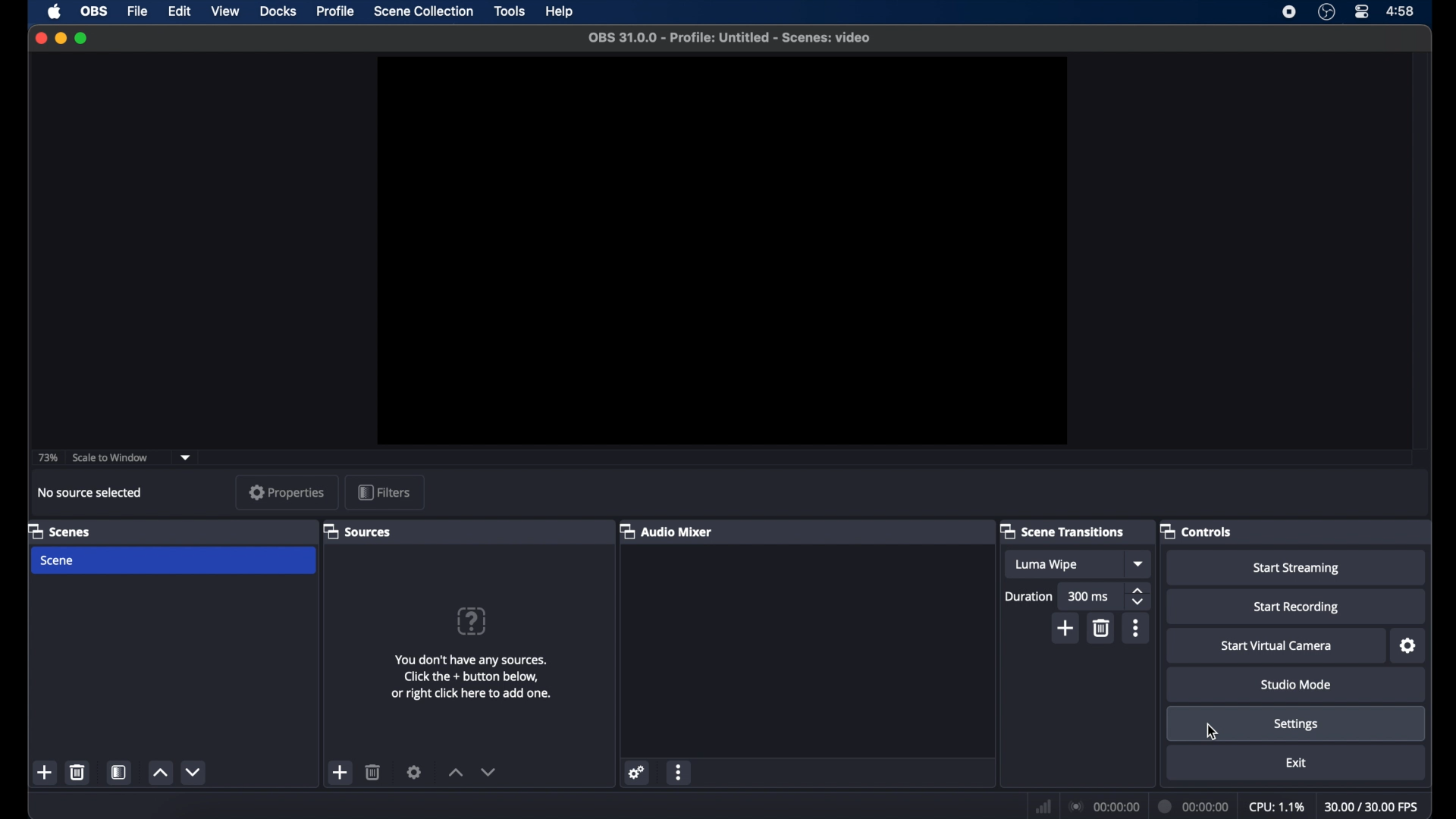  I want to click on audio mixer, so click(667, 531).